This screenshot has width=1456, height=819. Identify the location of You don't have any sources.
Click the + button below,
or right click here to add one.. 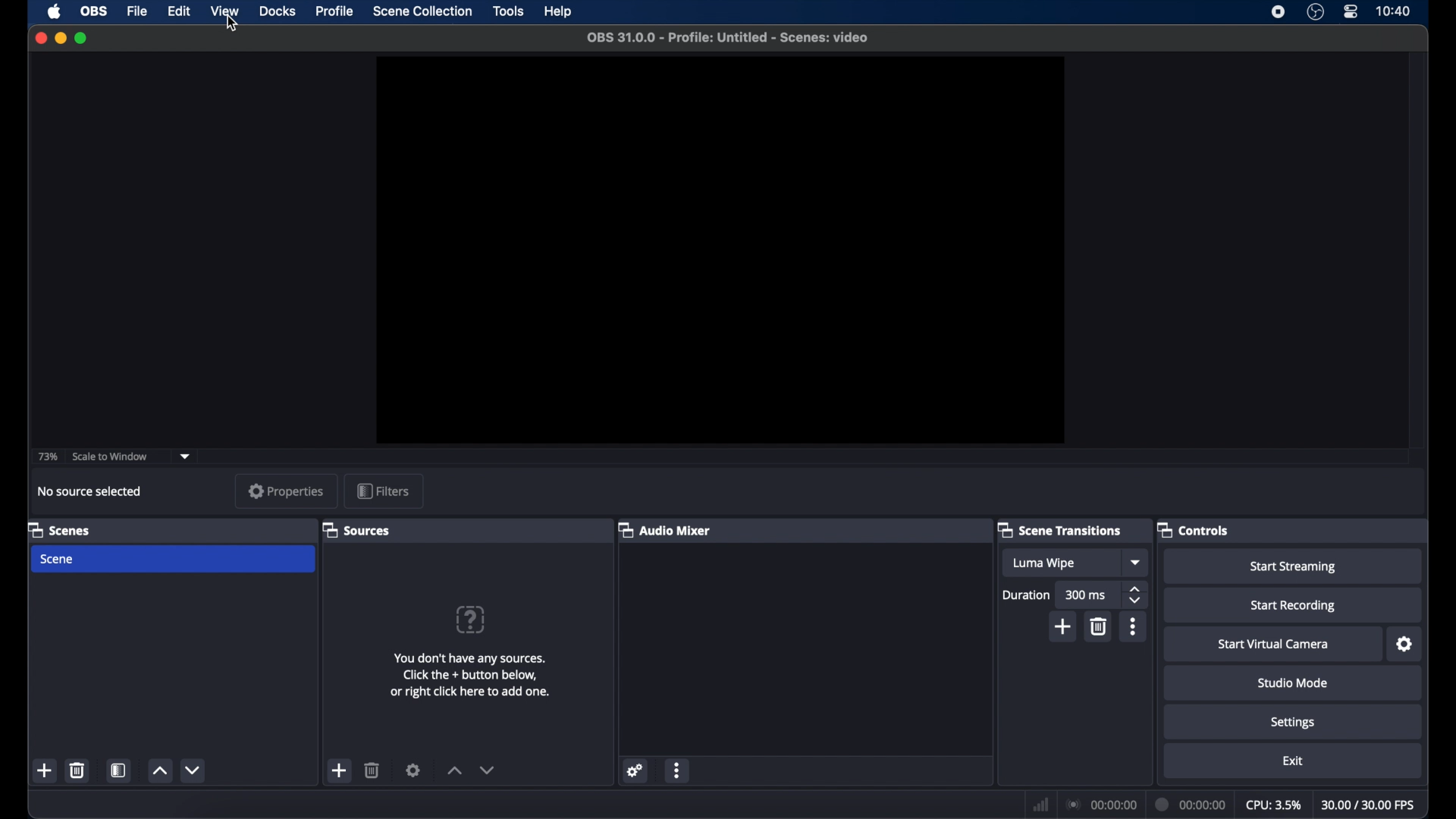
(475, 677).